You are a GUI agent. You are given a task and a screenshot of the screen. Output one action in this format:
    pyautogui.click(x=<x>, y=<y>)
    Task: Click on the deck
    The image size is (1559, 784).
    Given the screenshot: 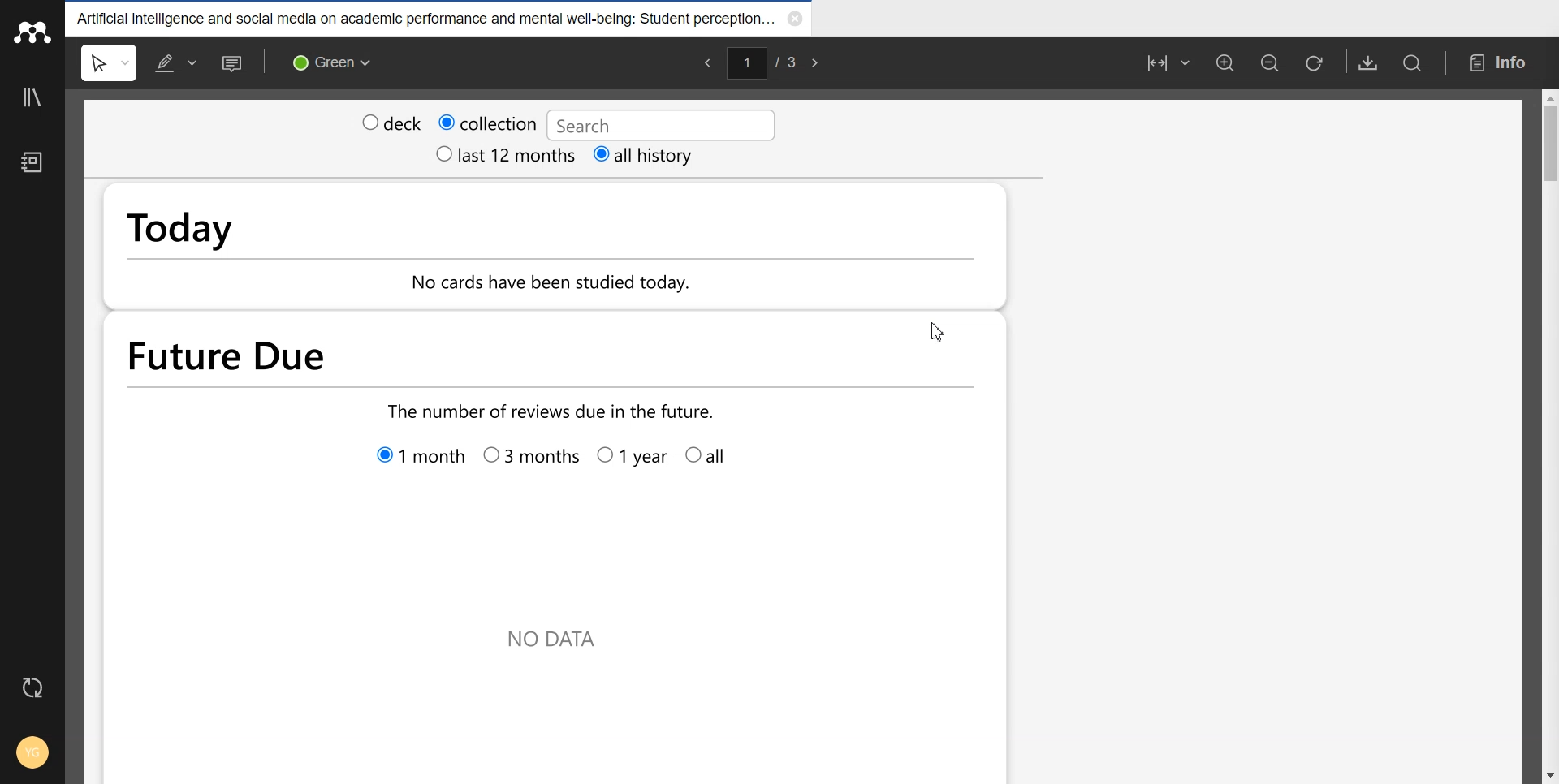 What is the action you would take?
    pyautogui.click(x=388, y=121)
    